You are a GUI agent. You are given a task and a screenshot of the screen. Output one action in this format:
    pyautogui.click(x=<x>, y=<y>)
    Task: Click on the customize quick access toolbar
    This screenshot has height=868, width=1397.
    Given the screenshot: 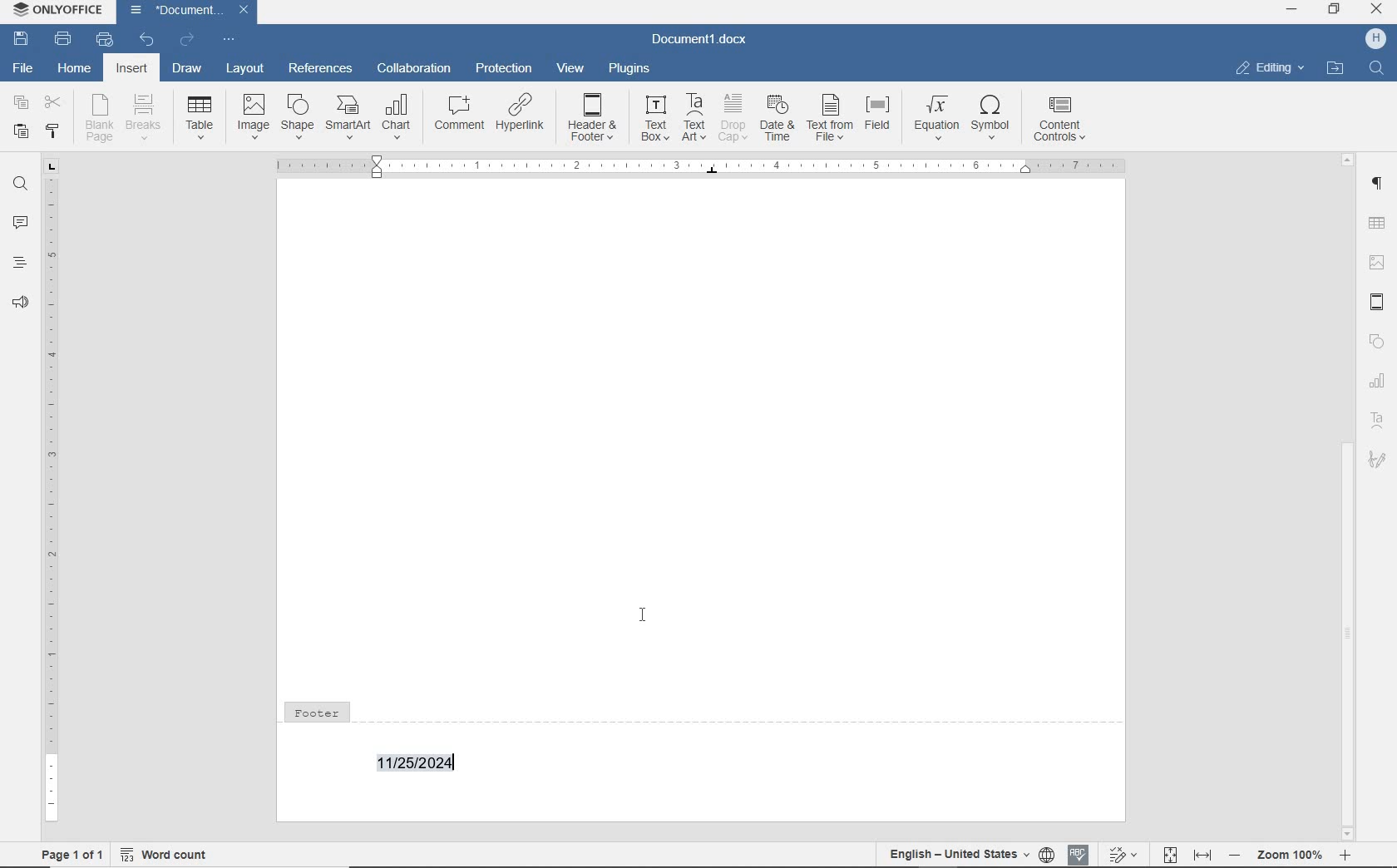 What is the action you would take?
    pyautogui.click(x=229, y=40)
    